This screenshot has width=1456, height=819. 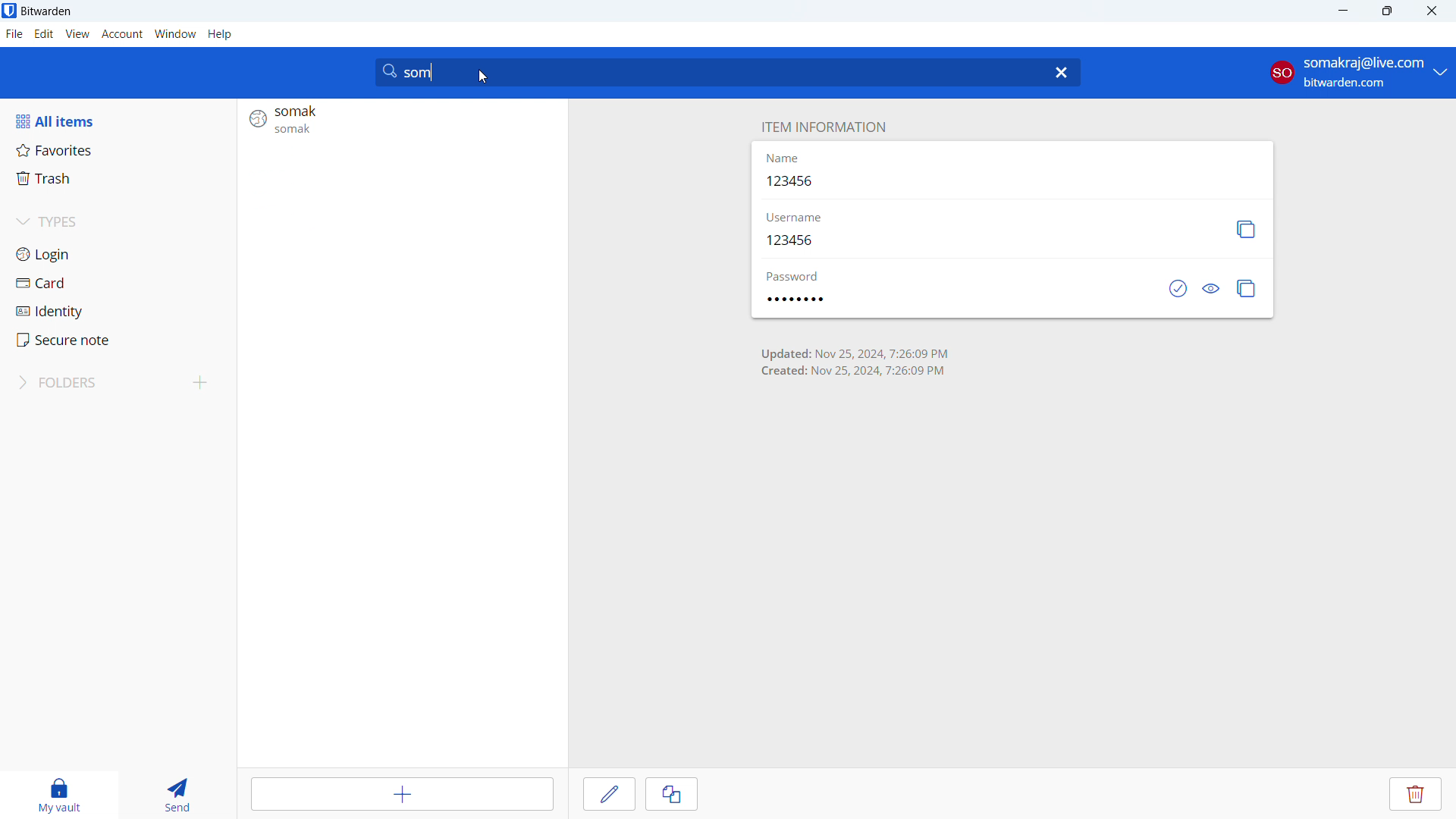 I want to click on trash, so click(x=115, y=179).